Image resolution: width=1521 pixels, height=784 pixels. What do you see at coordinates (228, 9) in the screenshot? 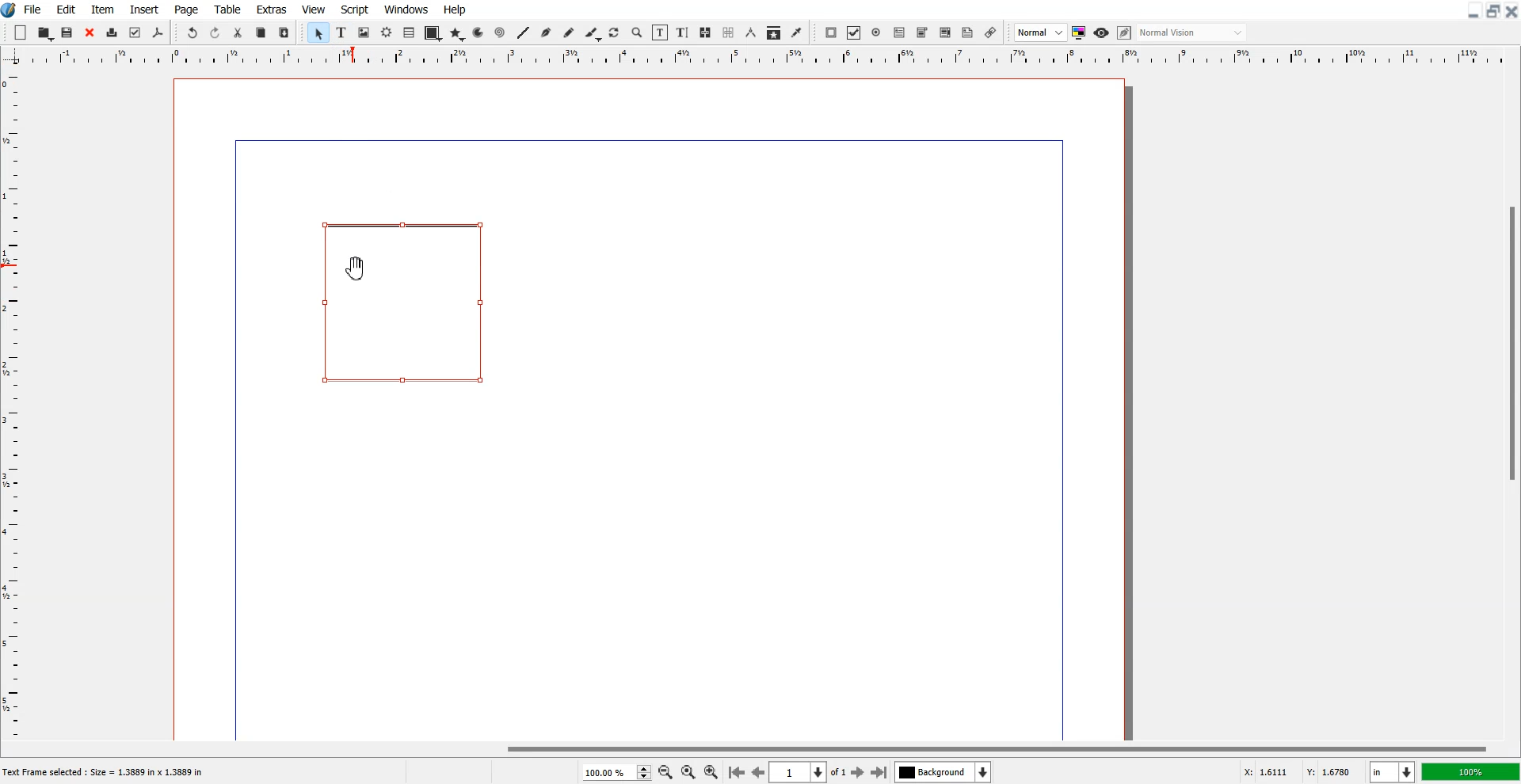
I see `Table` at bounding box center [228, 9].